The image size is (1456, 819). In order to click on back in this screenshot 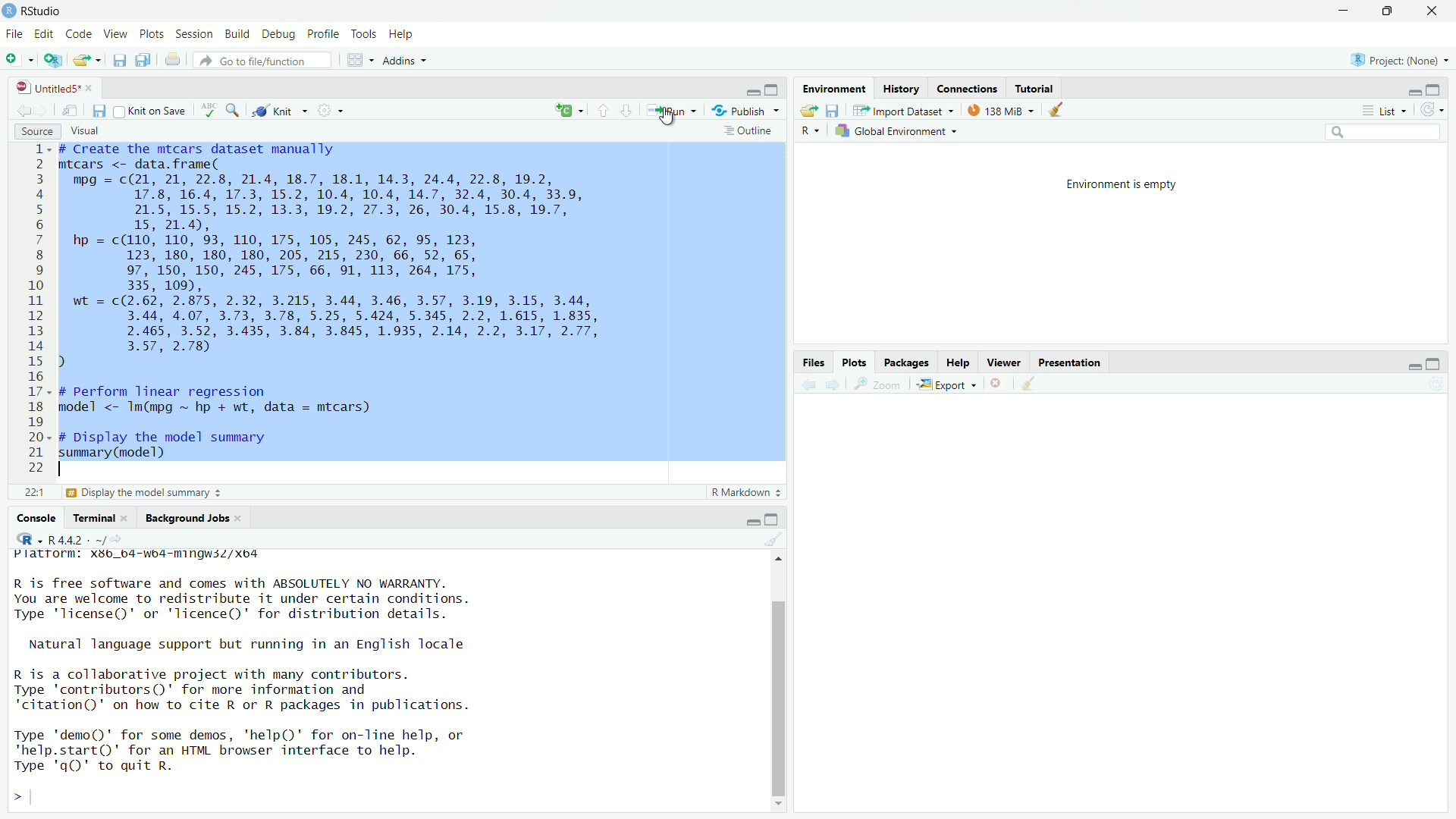, I will do `click(812, 384)`.